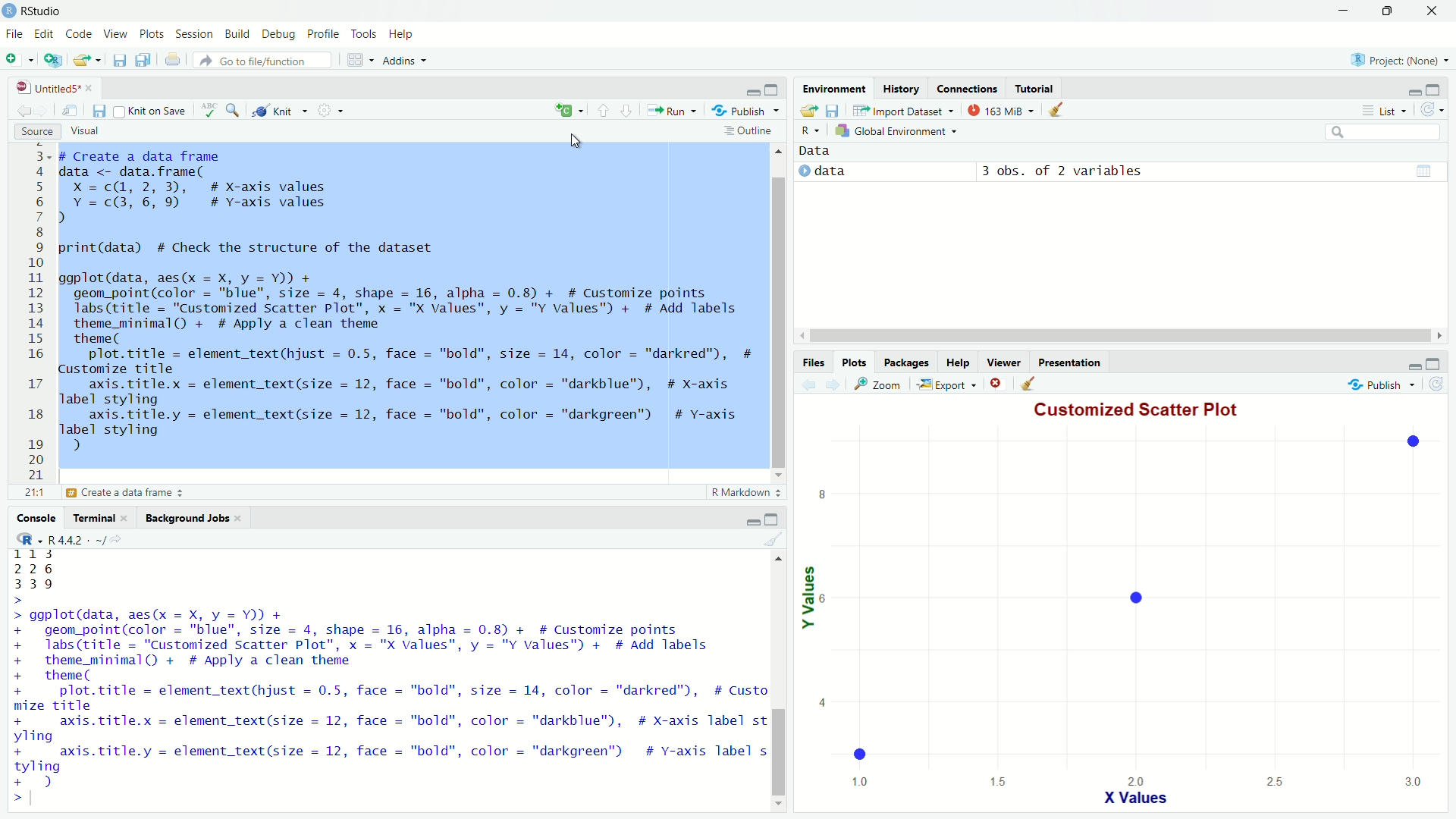 The height and width of the screenshot is (819, 1456). Describe the element at coordinates (281, 108) in the screenshot. I see `Kniit` at that location.